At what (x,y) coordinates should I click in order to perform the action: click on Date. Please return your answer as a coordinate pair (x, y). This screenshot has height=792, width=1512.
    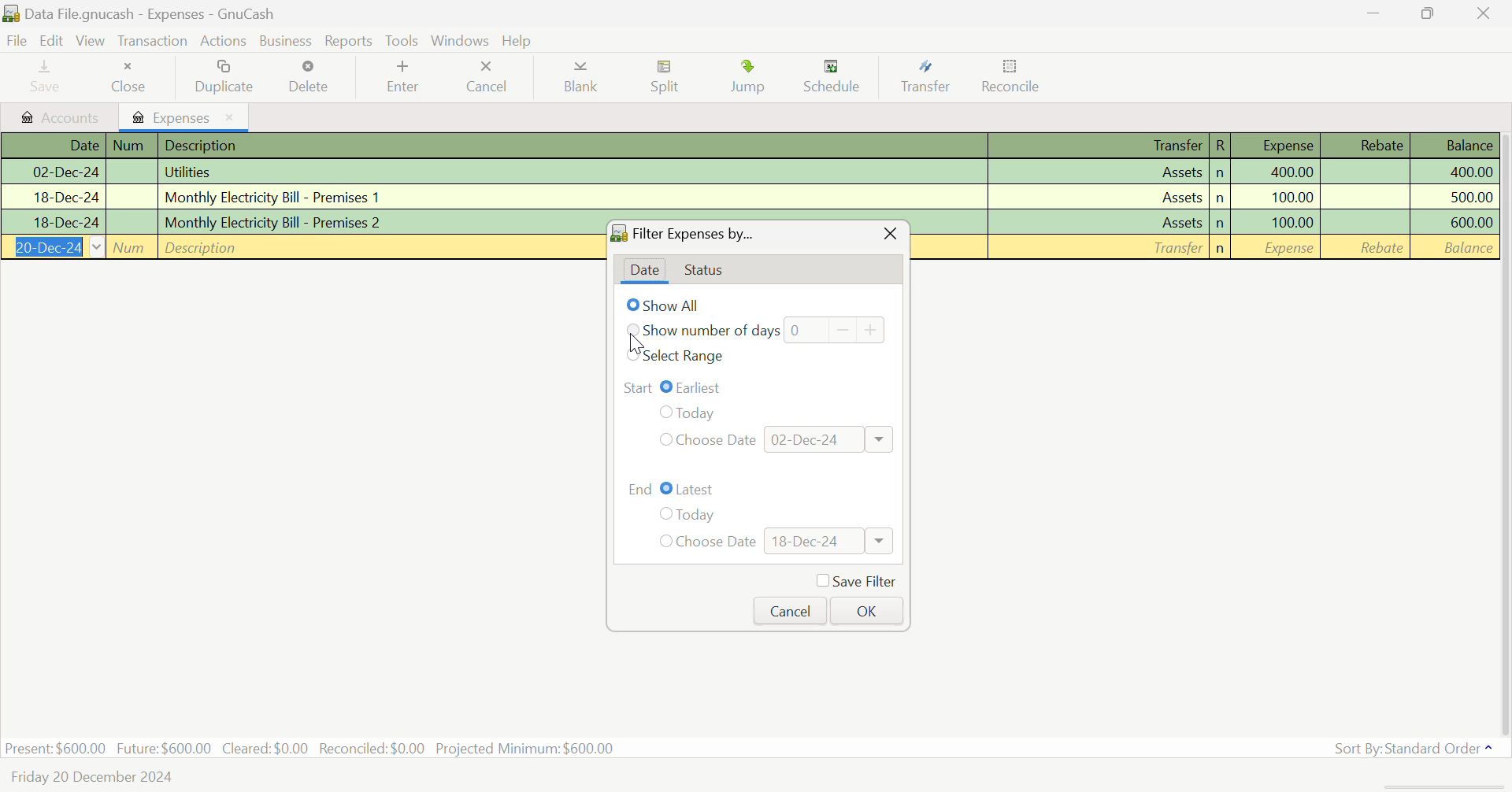
    Looking at the image, I should click on (51, 248).